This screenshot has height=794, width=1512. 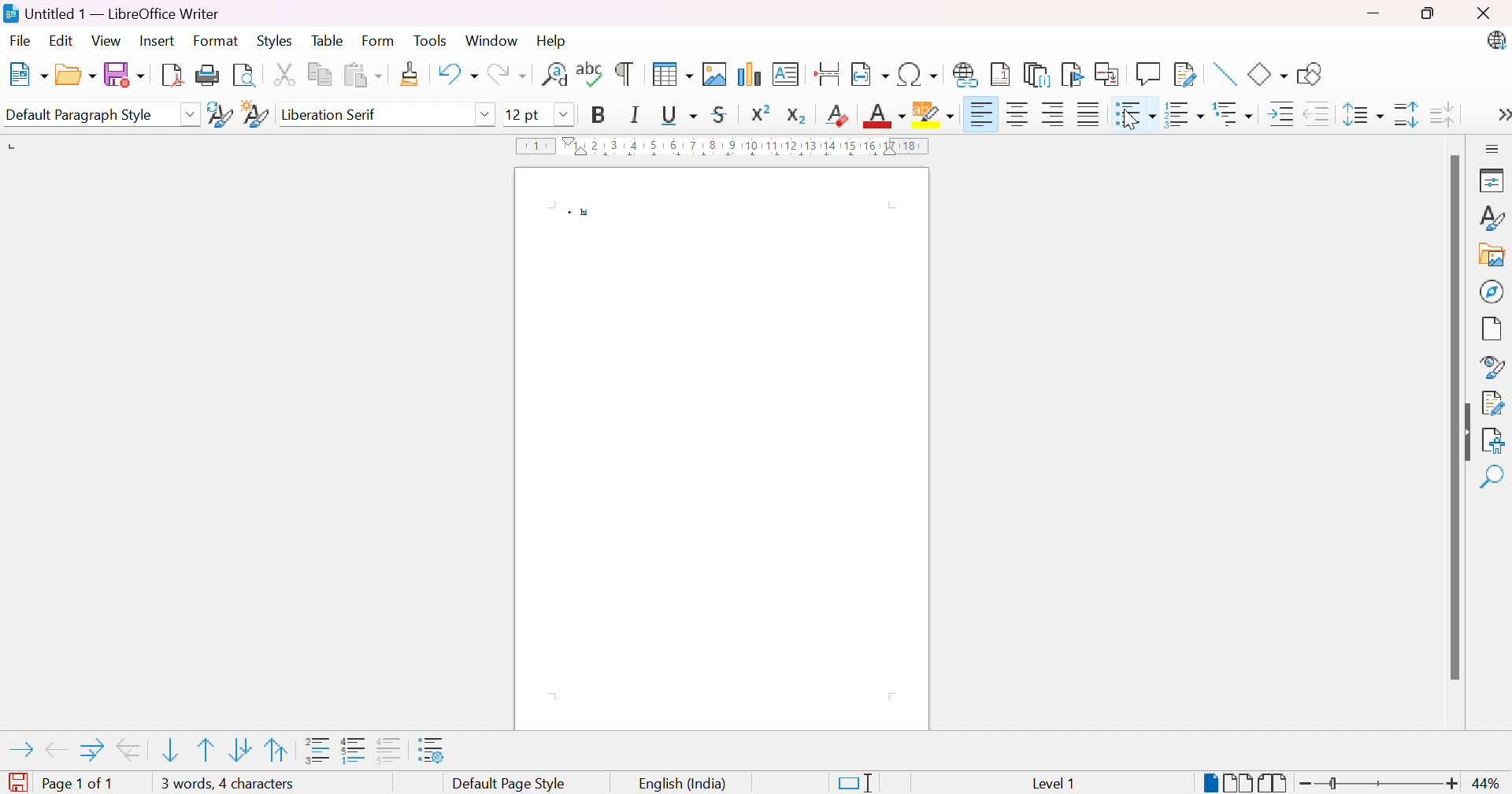 I want to click on Insert special characters, so click(x=917, y=75).